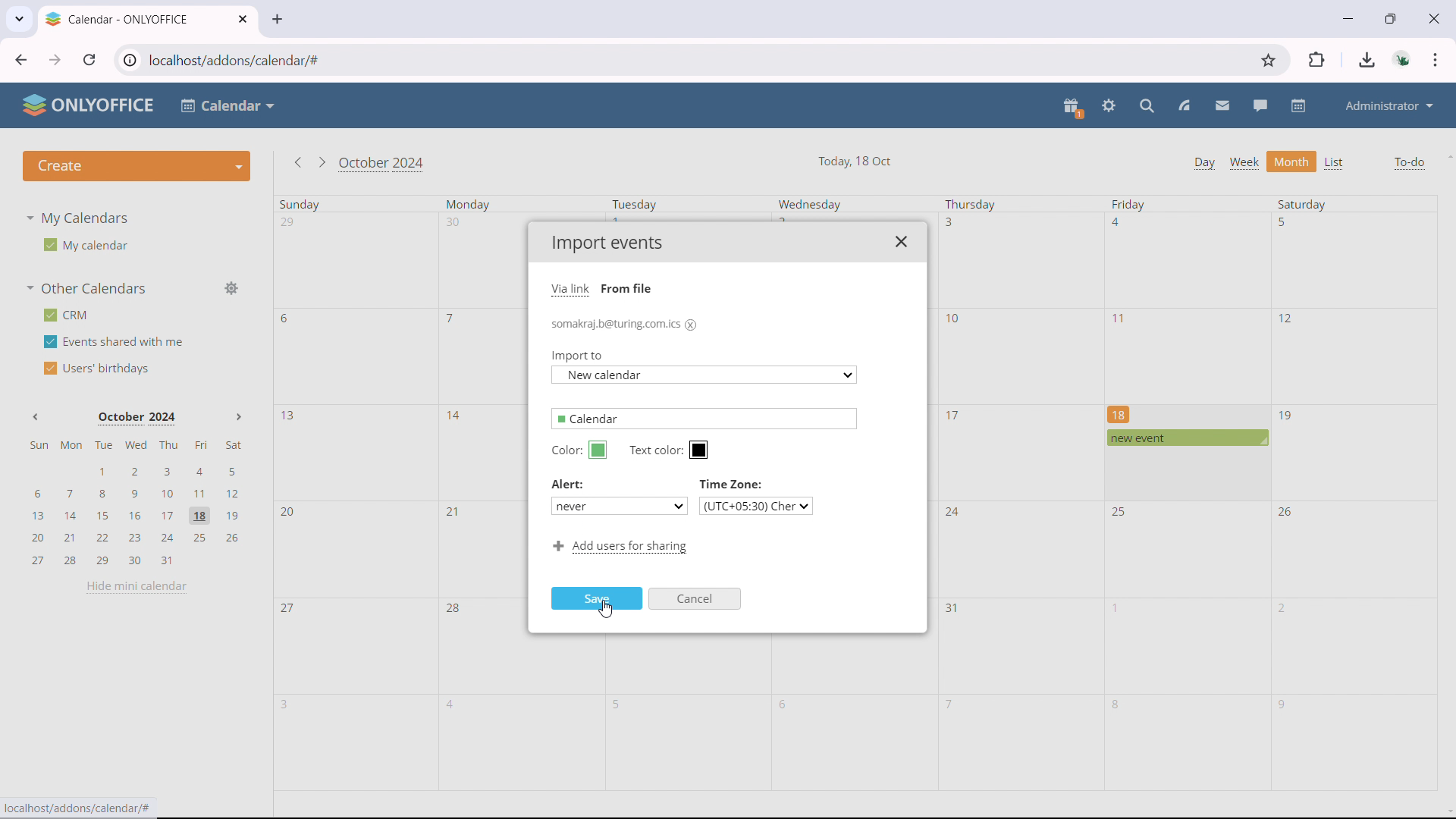 The image size is (1456, 819). I want to click on Thursday, so click(971, 205).